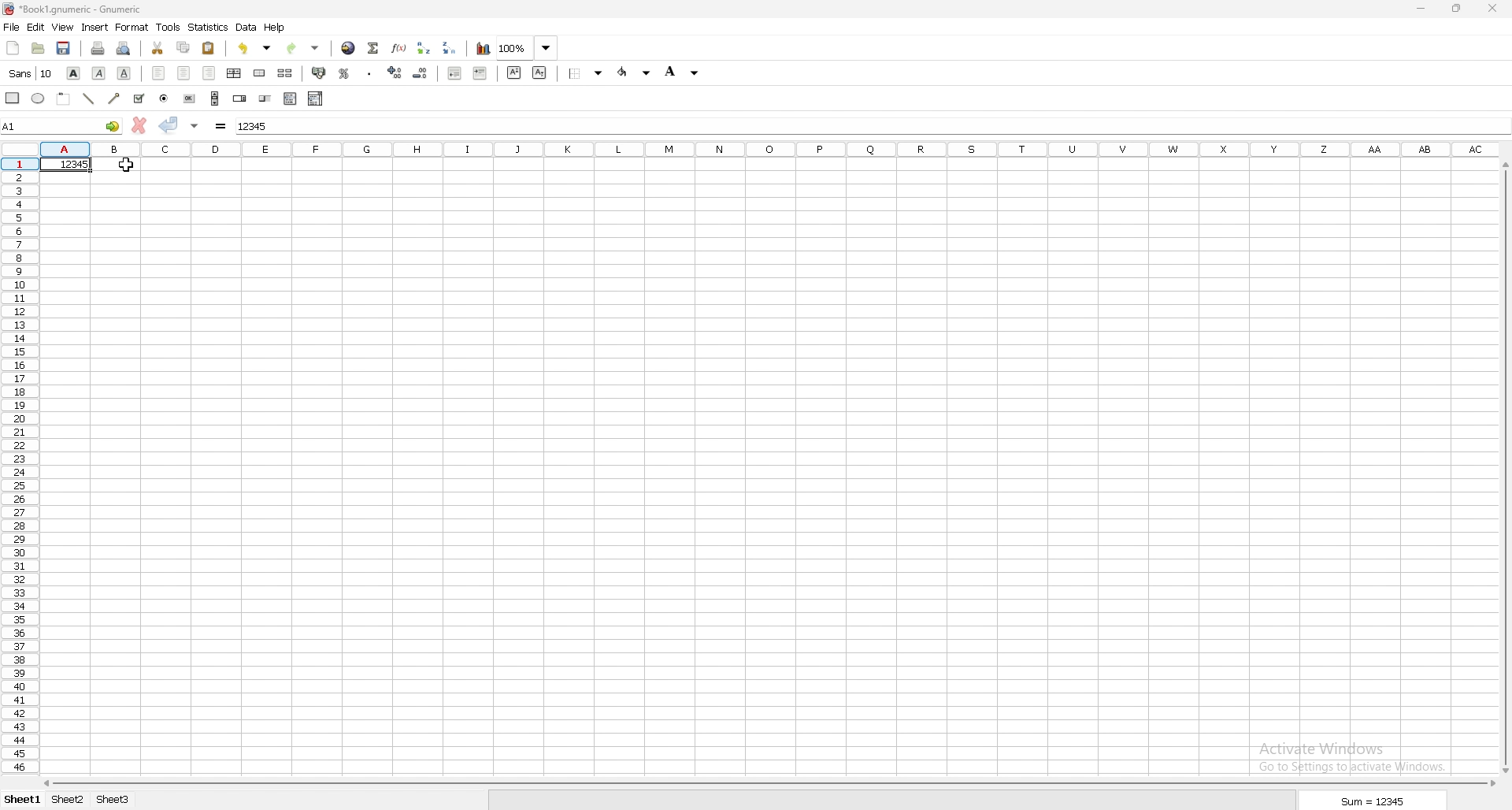 This screenshot has width=1512, height=810. Describe the element at coordinates (195, 126) in the screenshot. I see `accept changes in all cells` at that location.